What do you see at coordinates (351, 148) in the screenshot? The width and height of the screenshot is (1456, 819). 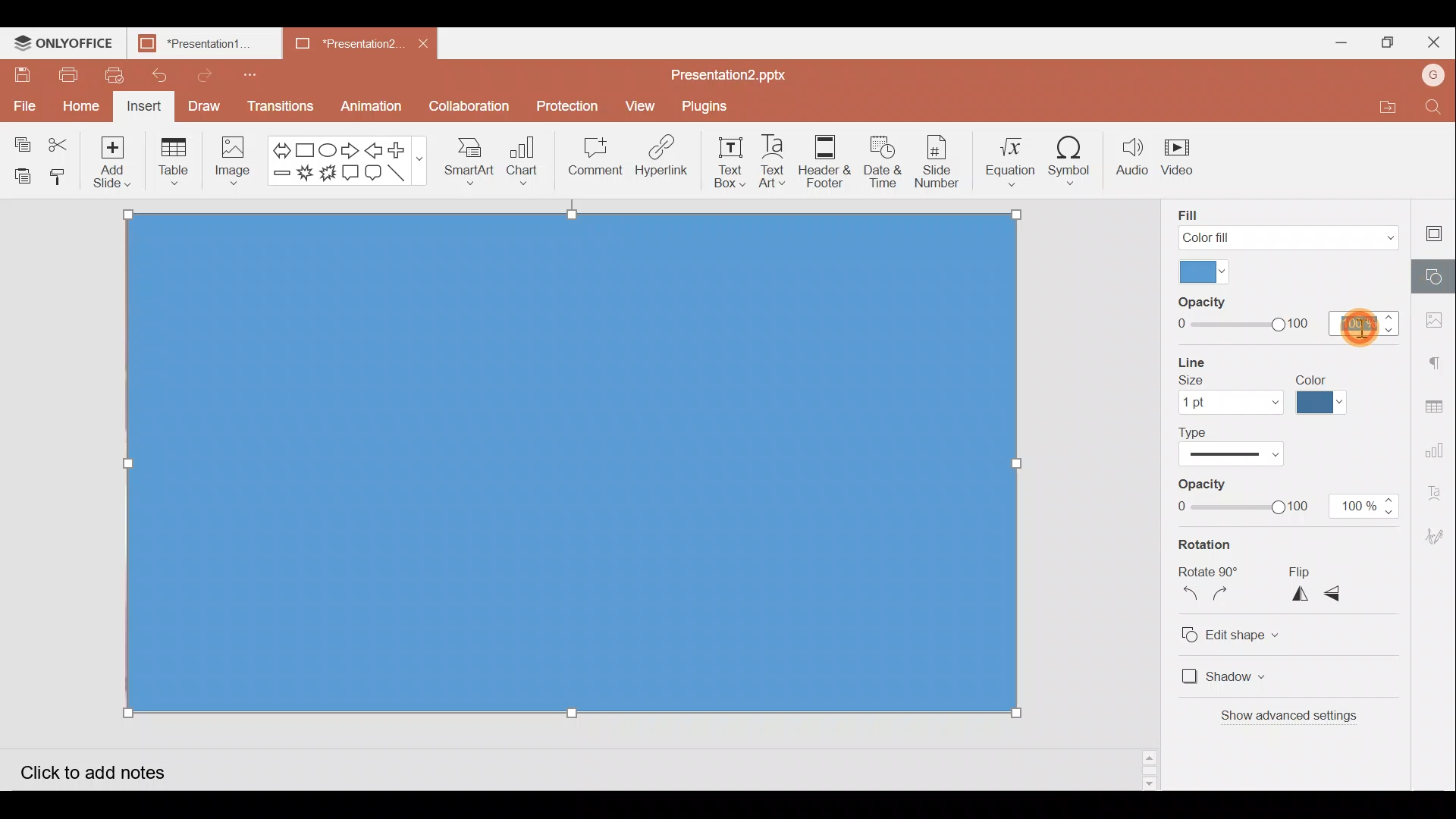 I see `Right arrow` at bounding box center [351, 148].